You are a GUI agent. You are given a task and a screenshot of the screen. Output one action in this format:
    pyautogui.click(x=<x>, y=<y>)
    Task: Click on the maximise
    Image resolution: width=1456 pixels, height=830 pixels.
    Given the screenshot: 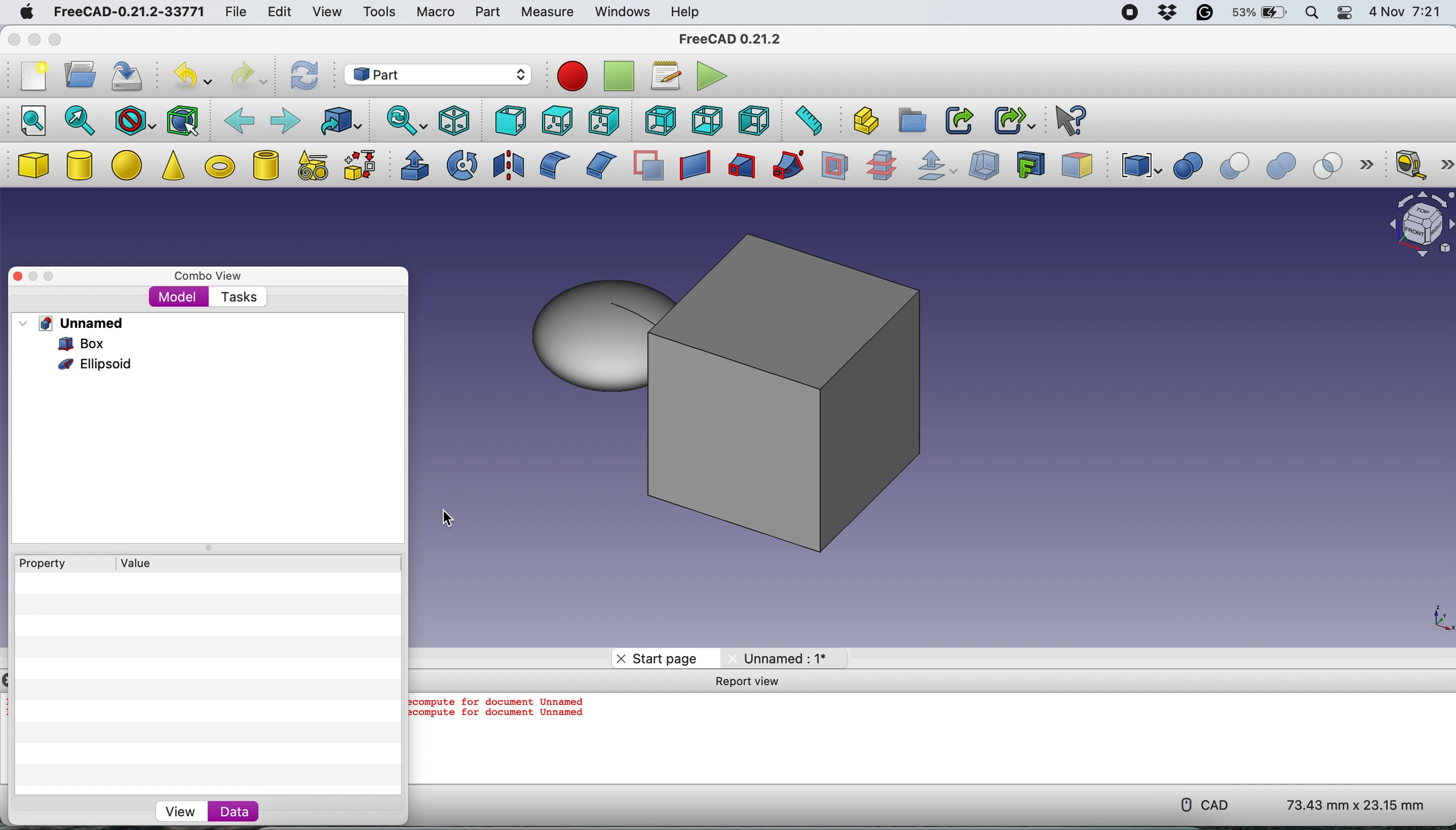 What is the action you would take?
    pyautogui.click(x=55, y=40)
    